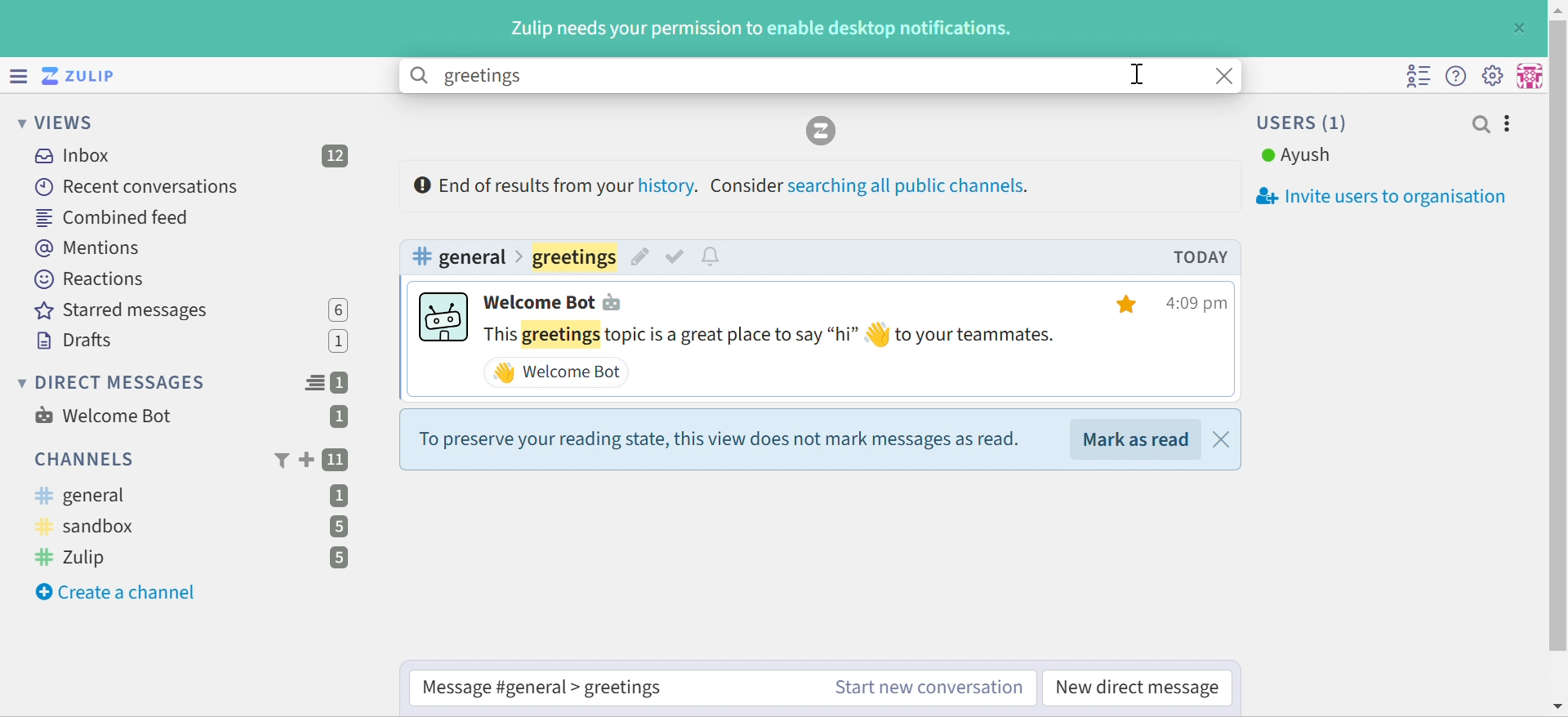  What do you see at coordinates (92, 528) in the screenshot?
I see `sandbox` at bounding box center [92, 528].